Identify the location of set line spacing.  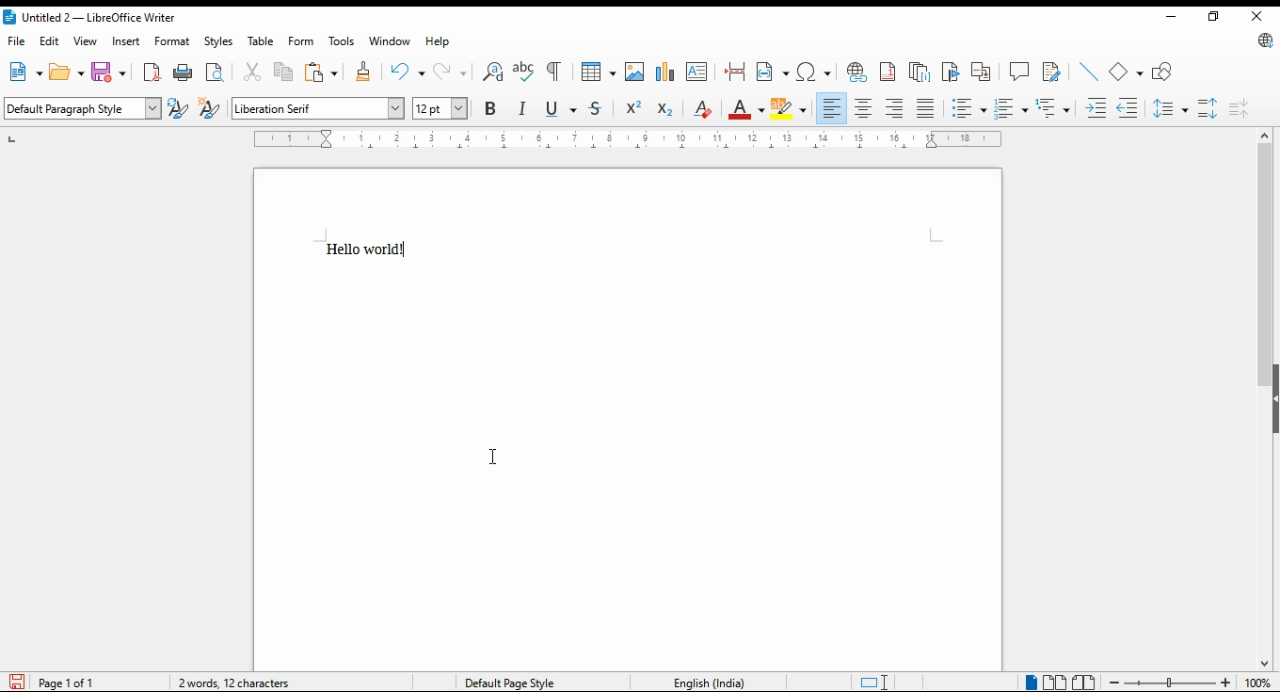
(1170, 107).